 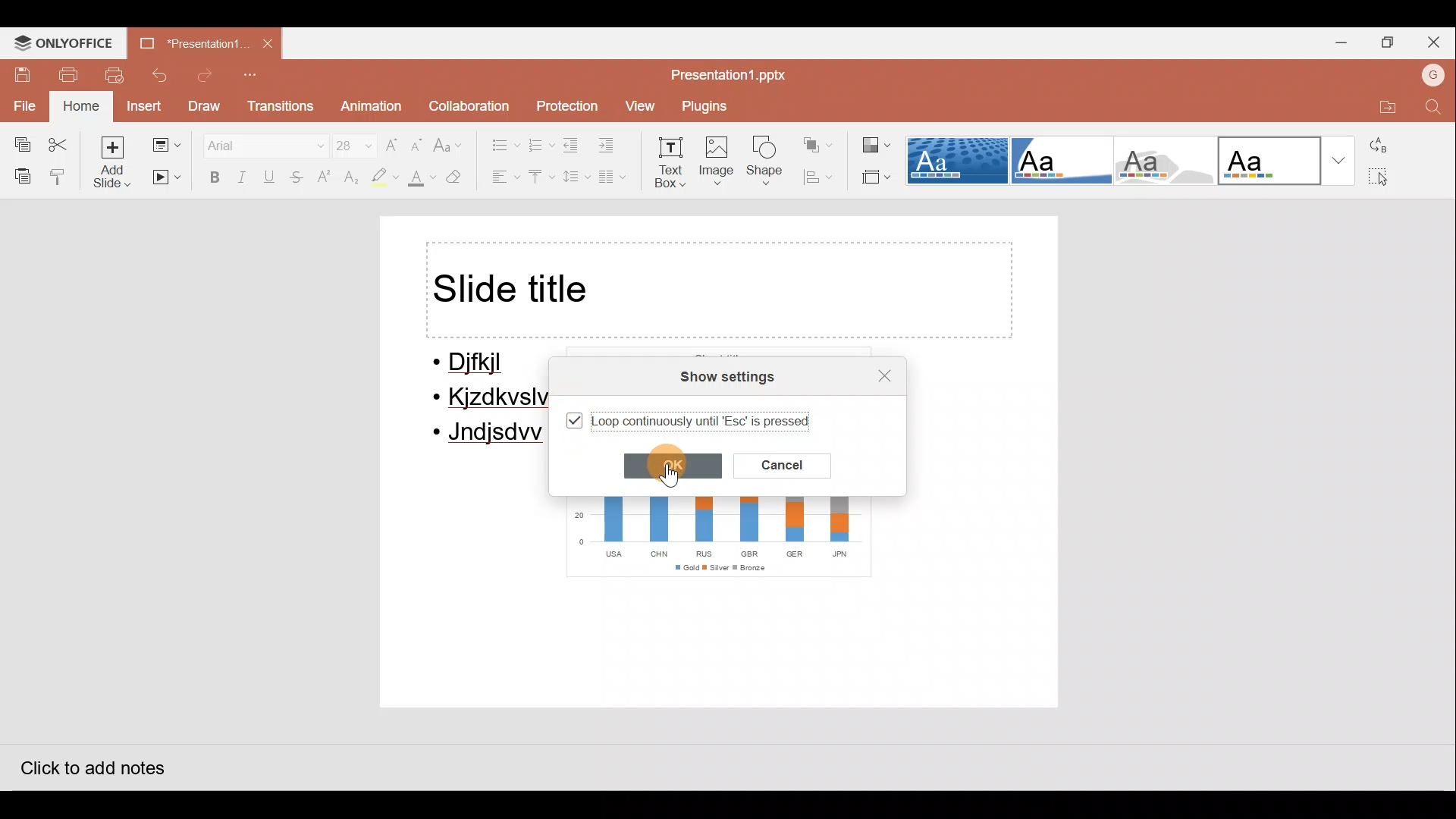 What do you see at coordinates (814, 144) in the screenshot?
I see `Arrange shape` at bounding box center [814, 144].